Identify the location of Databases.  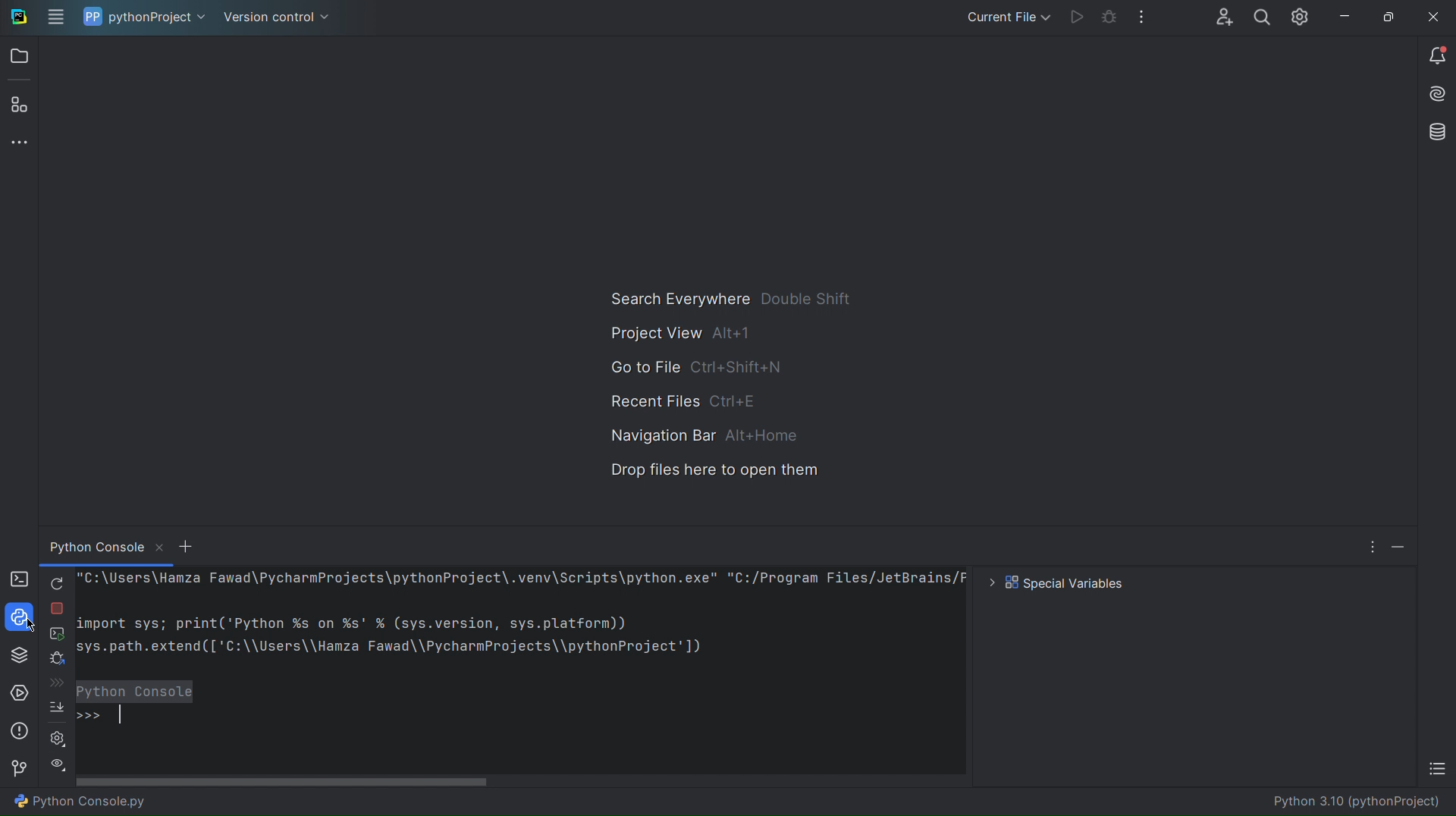
(1434, 132).